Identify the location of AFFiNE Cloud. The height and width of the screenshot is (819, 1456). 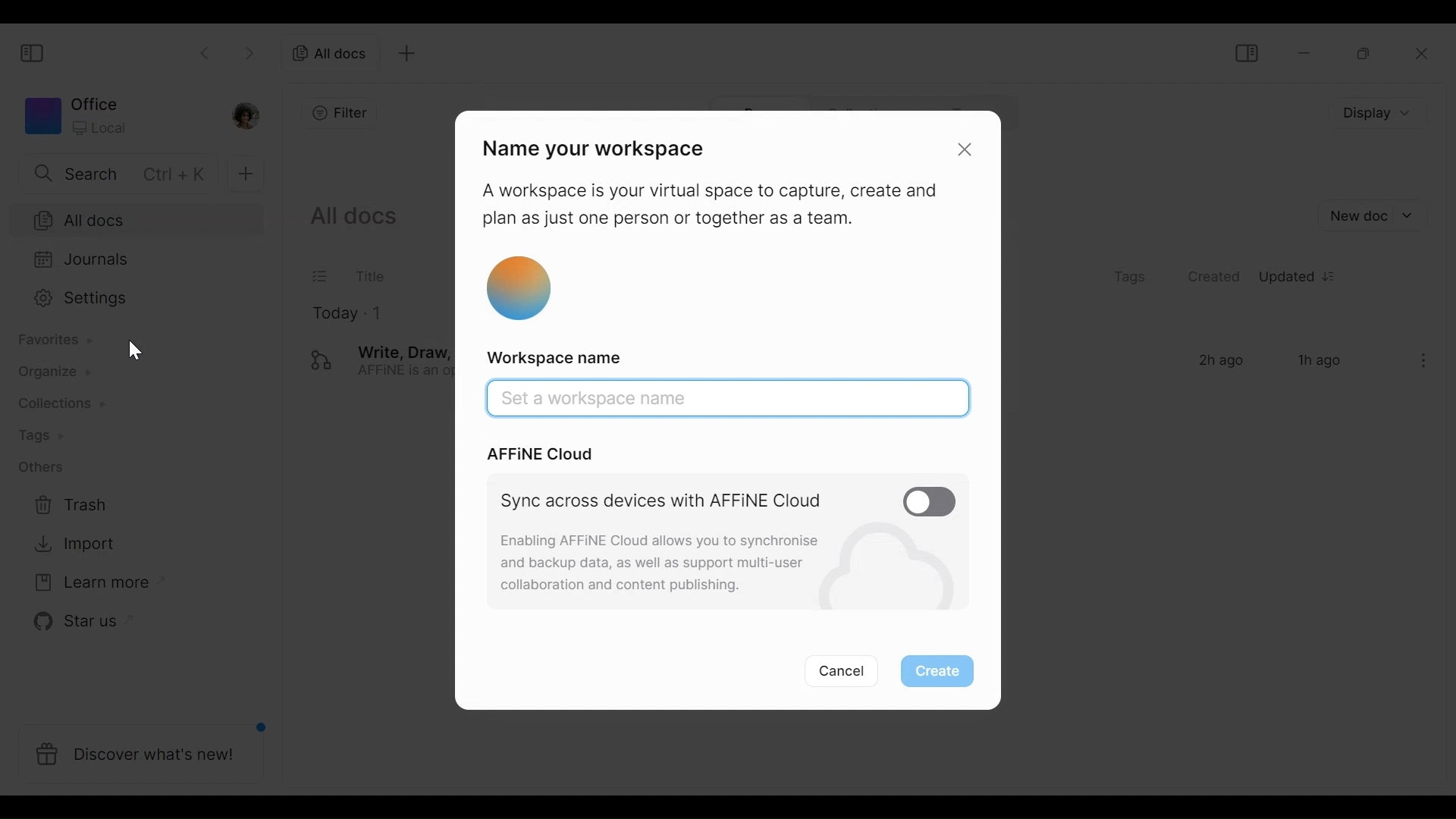
(544, 456).